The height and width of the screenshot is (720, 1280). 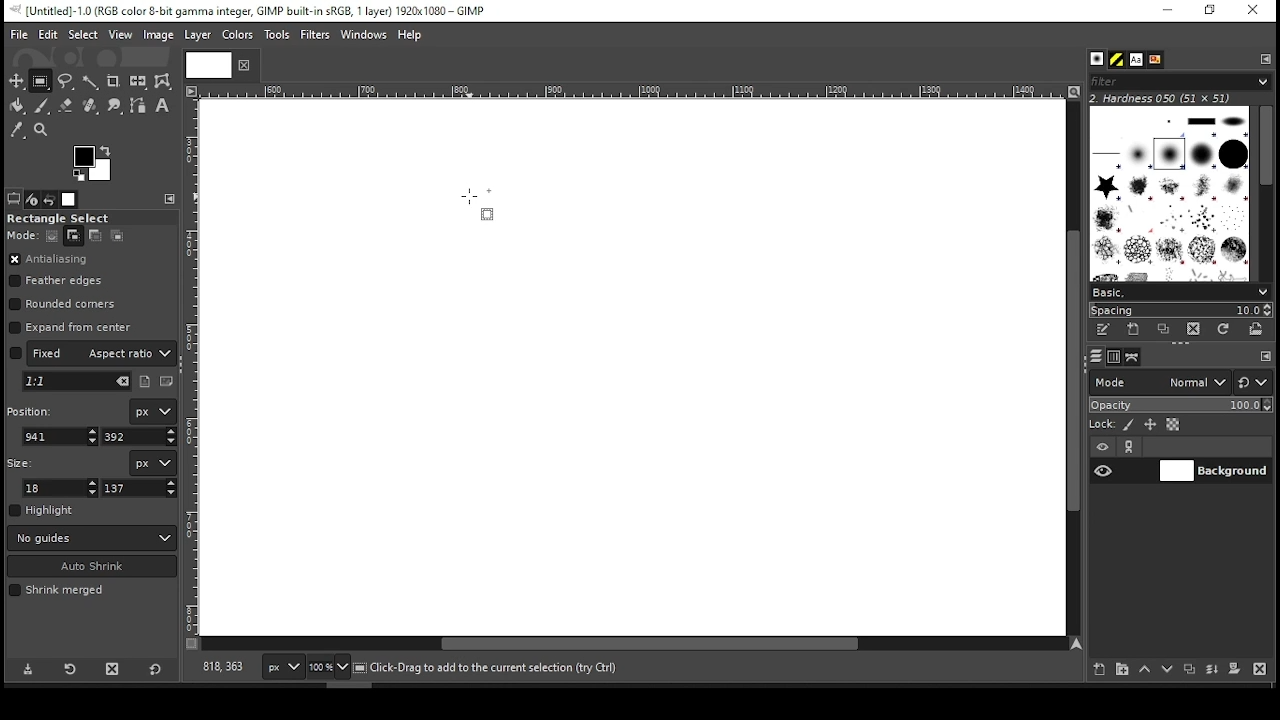 What do you see at coordinates (14, 198) in the screenshot?
I see `tool options` at bounding box center [14, 198].